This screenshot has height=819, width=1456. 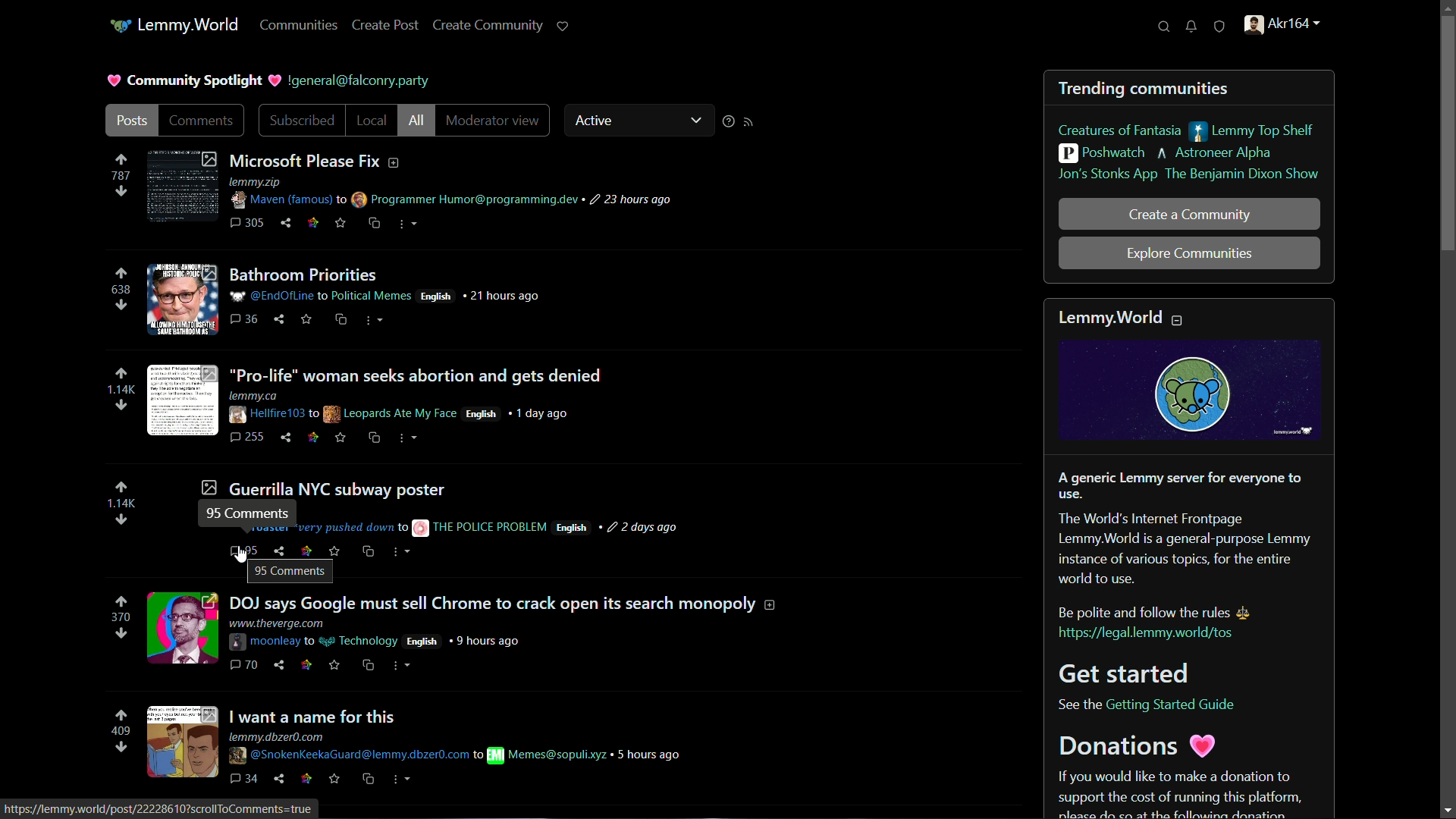 What do you see at coordinates (423, 642) in the screenshot?
I see `English` at bounding box center [423, 642].